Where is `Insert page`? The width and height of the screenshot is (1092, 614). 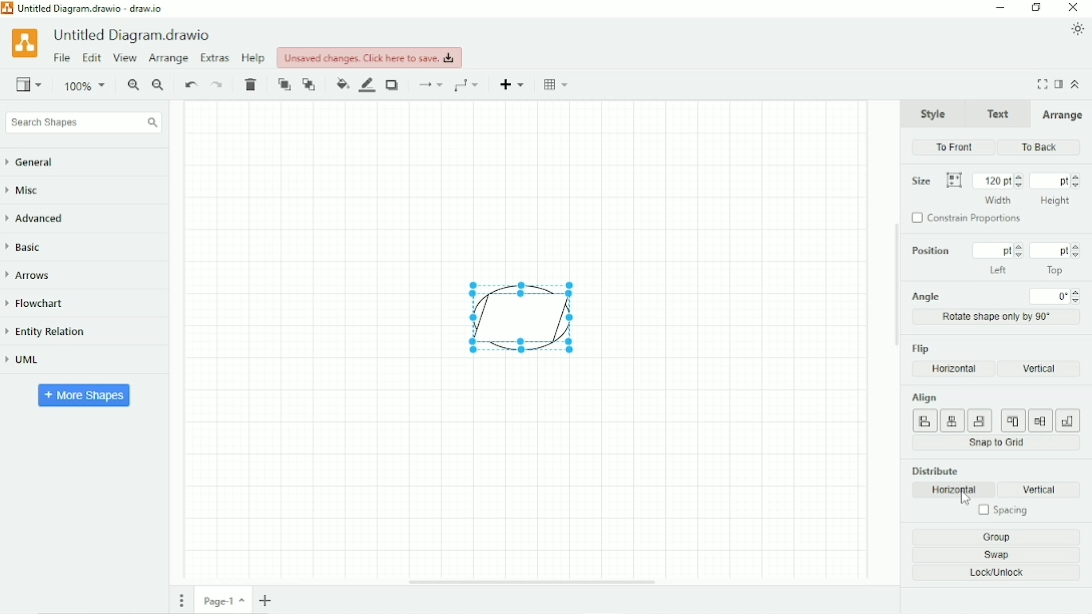 Insert page is located at coordinates (268, 600).